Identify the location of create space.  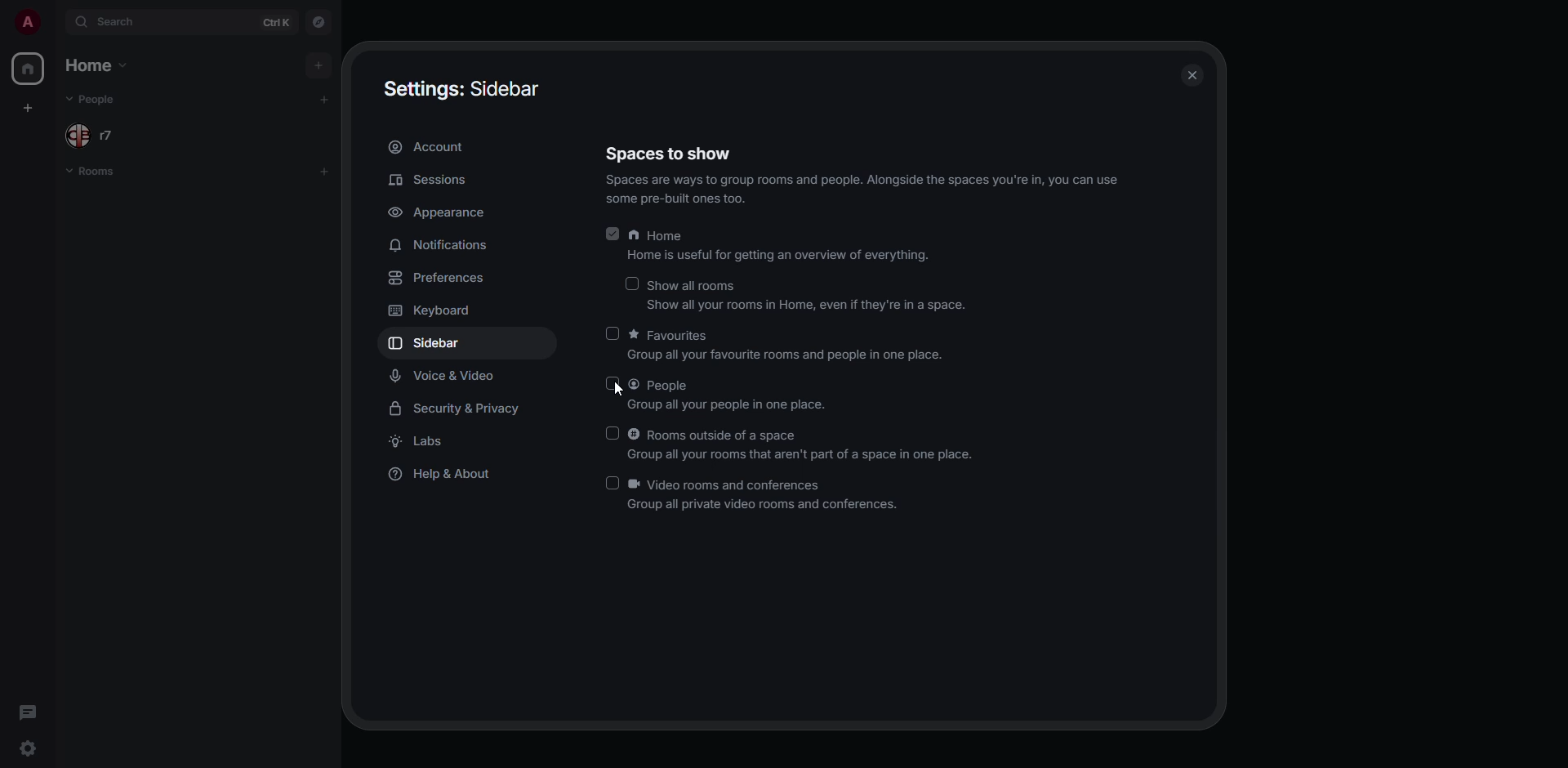
(27, 106).